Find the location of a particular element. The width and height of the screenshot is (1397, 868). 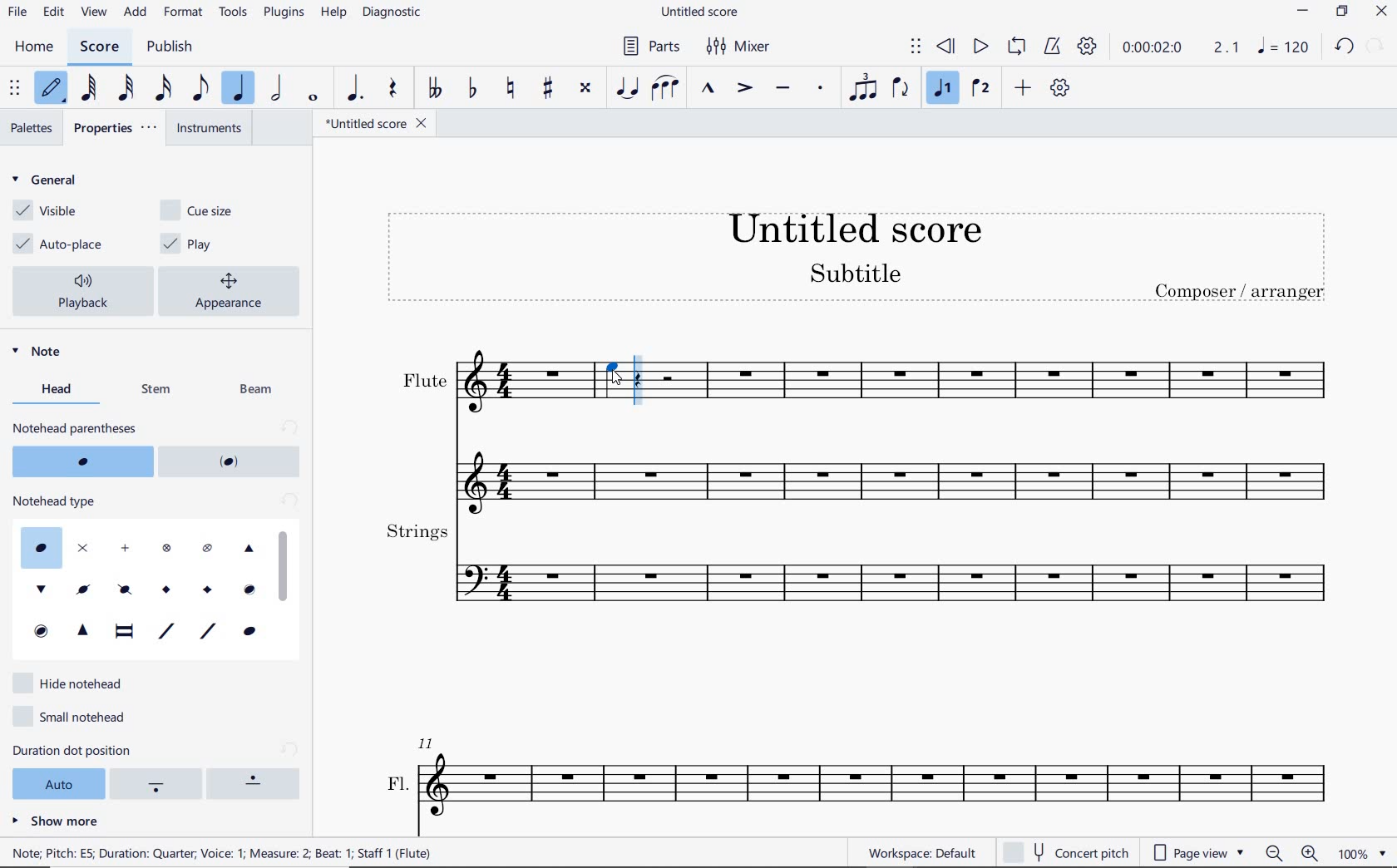

DURATION DOT POSITION is located at coordinates (156, 772).